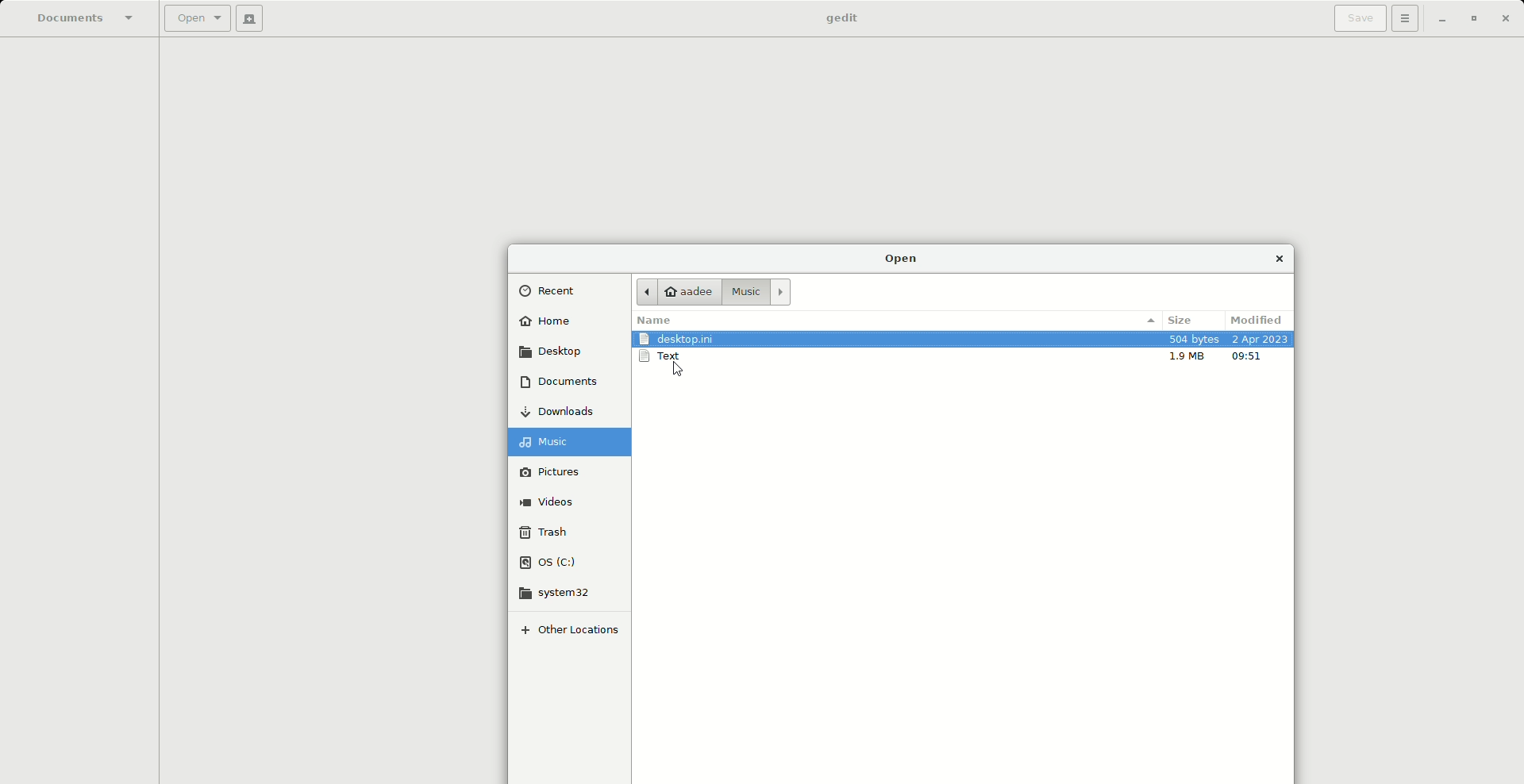 This screenshot has width=1524, height=784. Describe the element at coordinates (552, 324) in the screenshot. I see `Home` at that location.